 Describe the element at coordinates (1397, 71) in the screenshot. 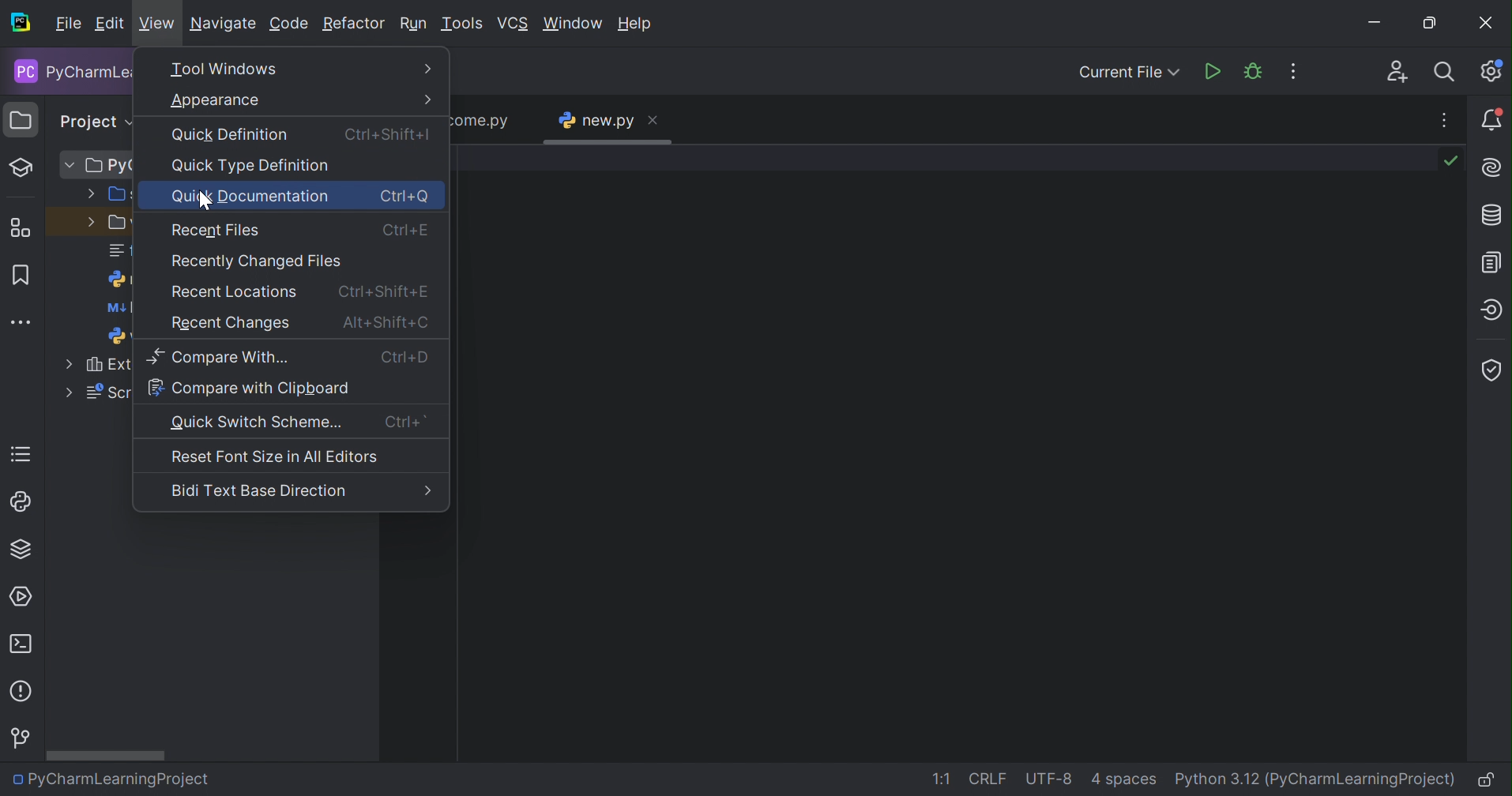

I see `Code With Me` at that location.